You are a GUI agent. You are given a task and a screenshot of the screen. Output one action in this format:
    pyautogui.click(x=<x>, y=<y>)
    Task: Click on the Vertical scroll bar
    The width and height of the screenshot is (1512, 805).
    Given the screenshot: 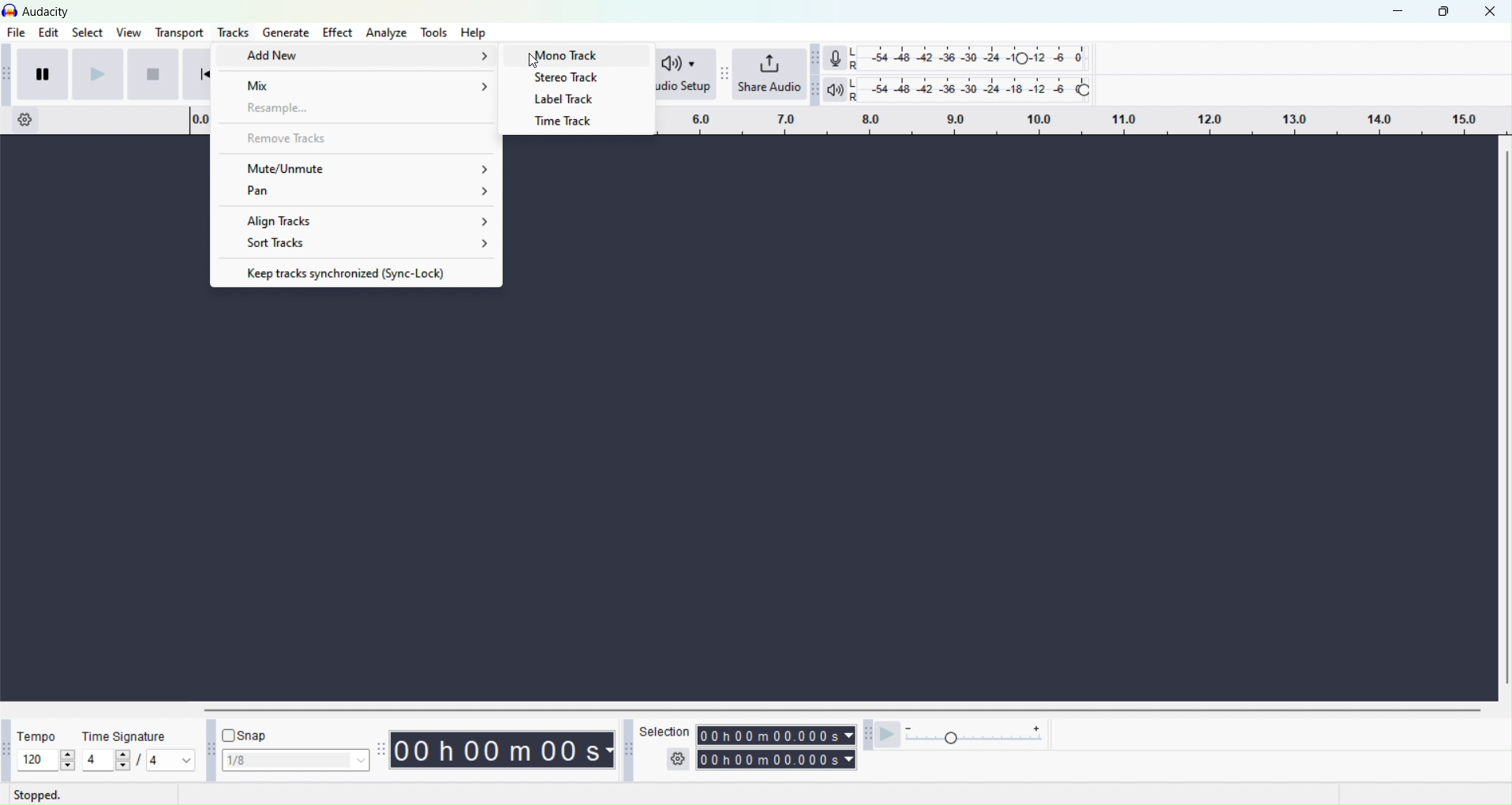 What is the action you would take?
    pyautogui.click(x=841, y=709)
    